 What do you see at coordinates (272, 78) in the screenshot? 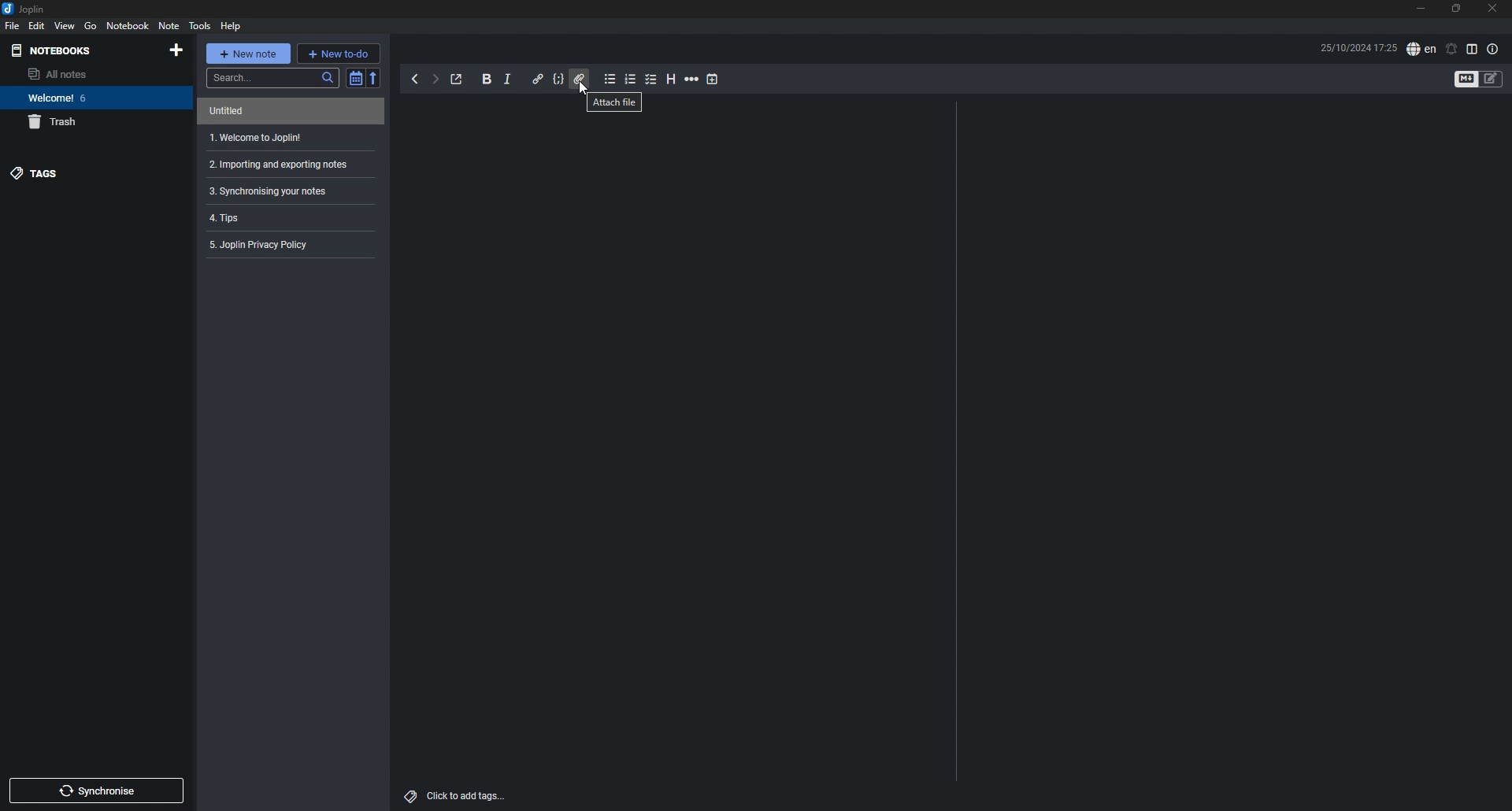
I see `search bar` at bounding box center [272, 78].